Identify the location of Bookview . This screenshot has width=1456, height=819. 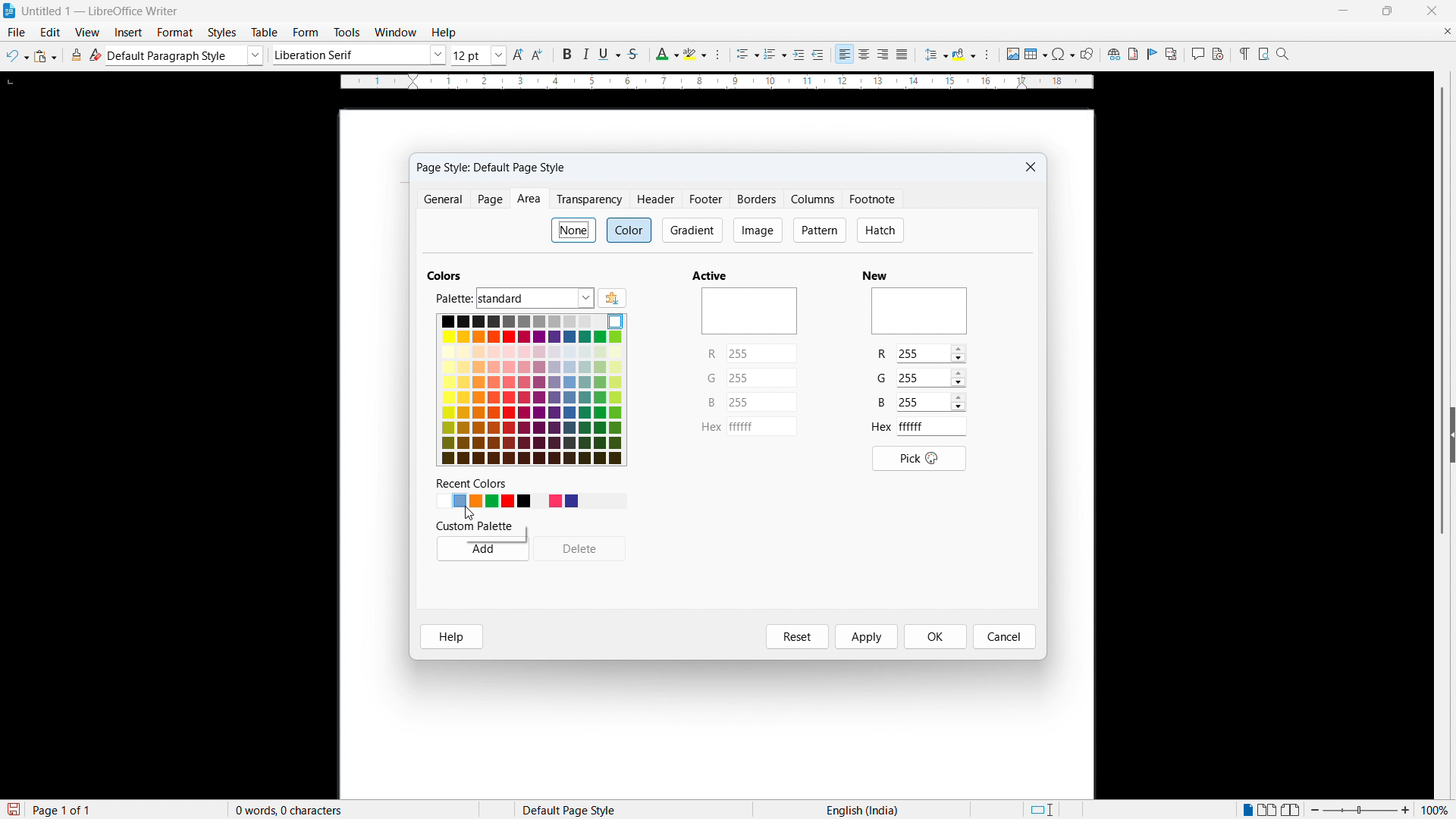
(1292, 810).